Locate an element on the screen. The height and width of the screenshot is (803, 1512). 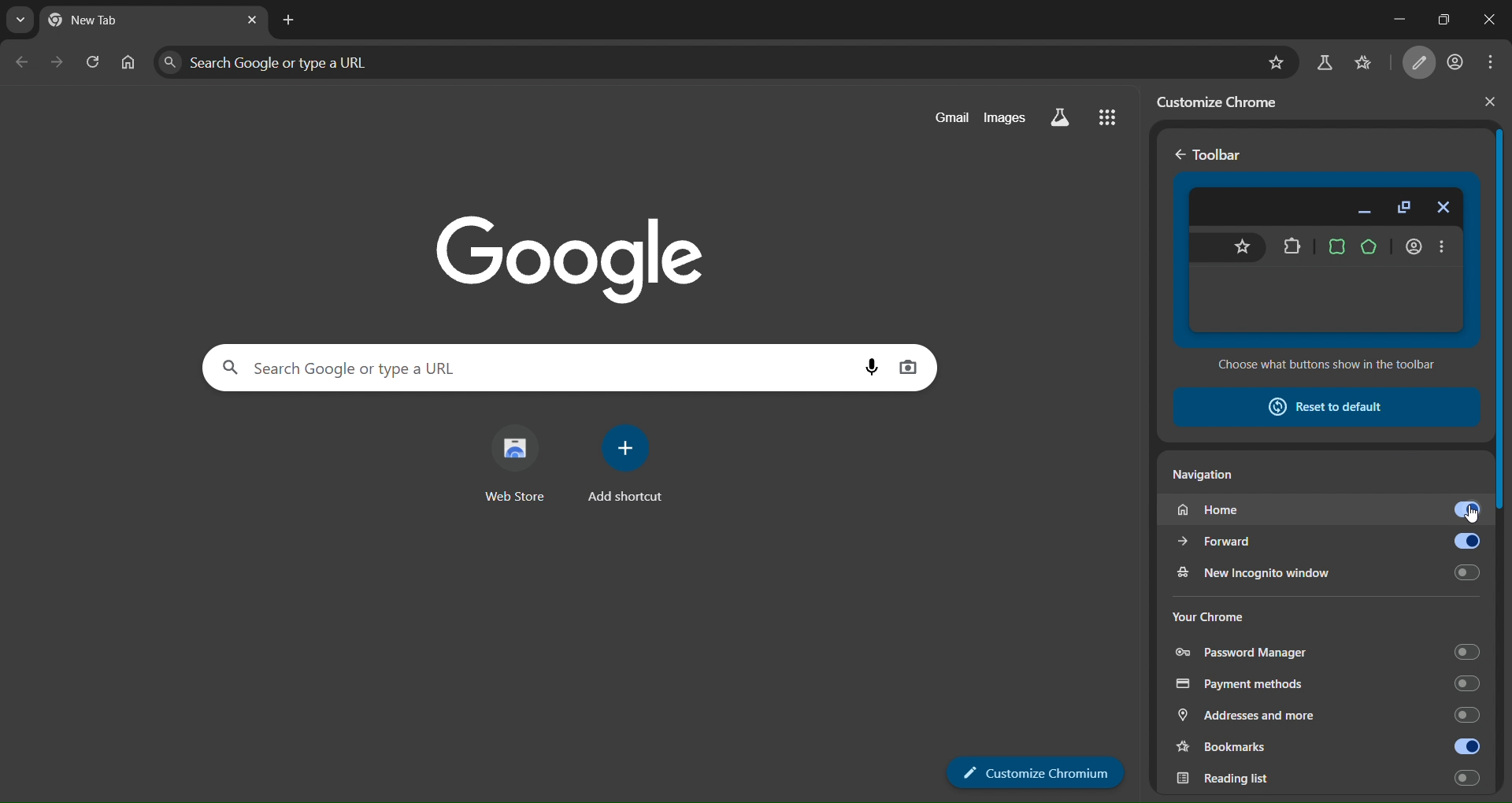
search labs is located at coordinates (1068, 118).